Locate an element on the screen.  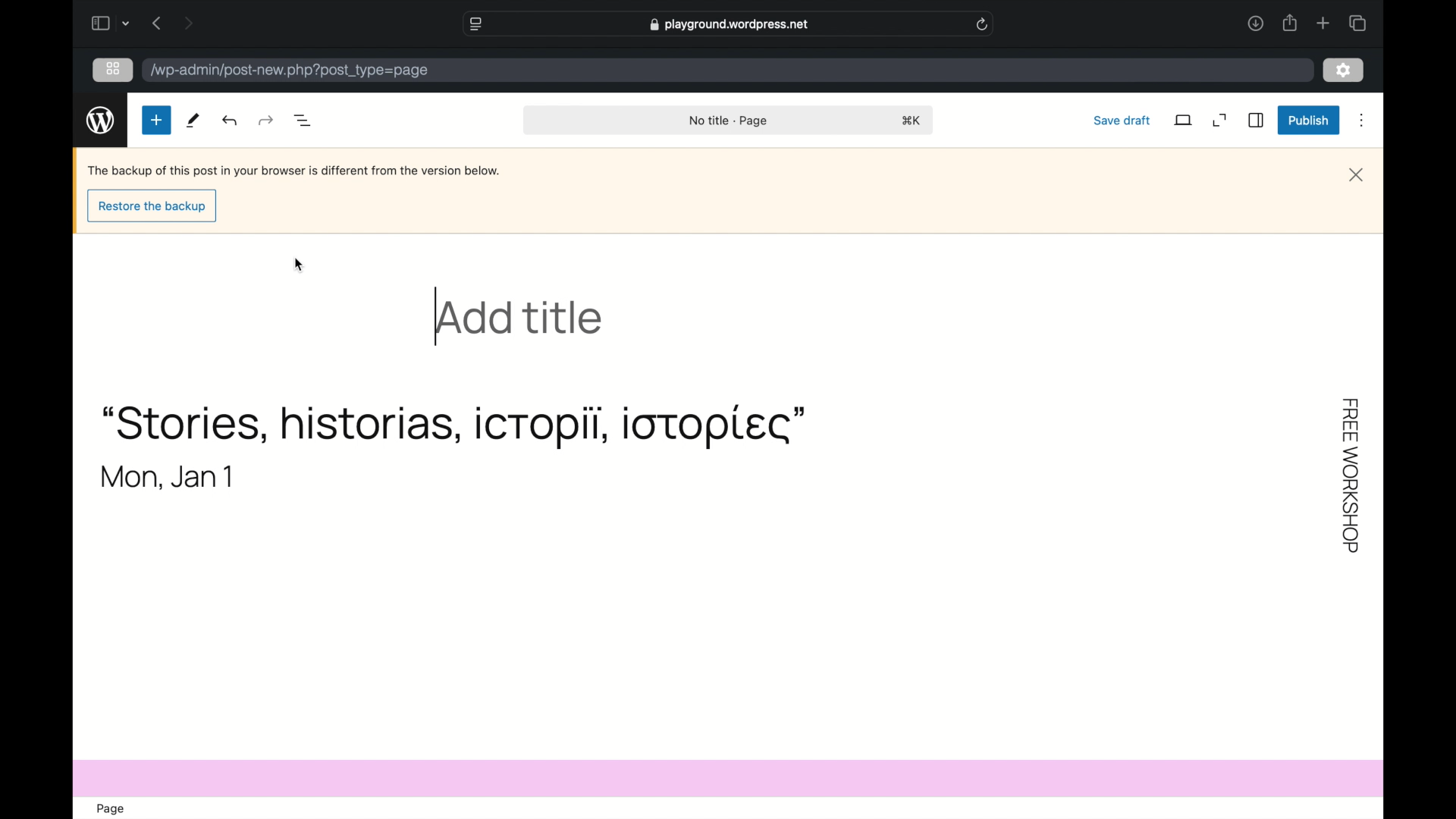
add title is located at coordinates (520, 319).